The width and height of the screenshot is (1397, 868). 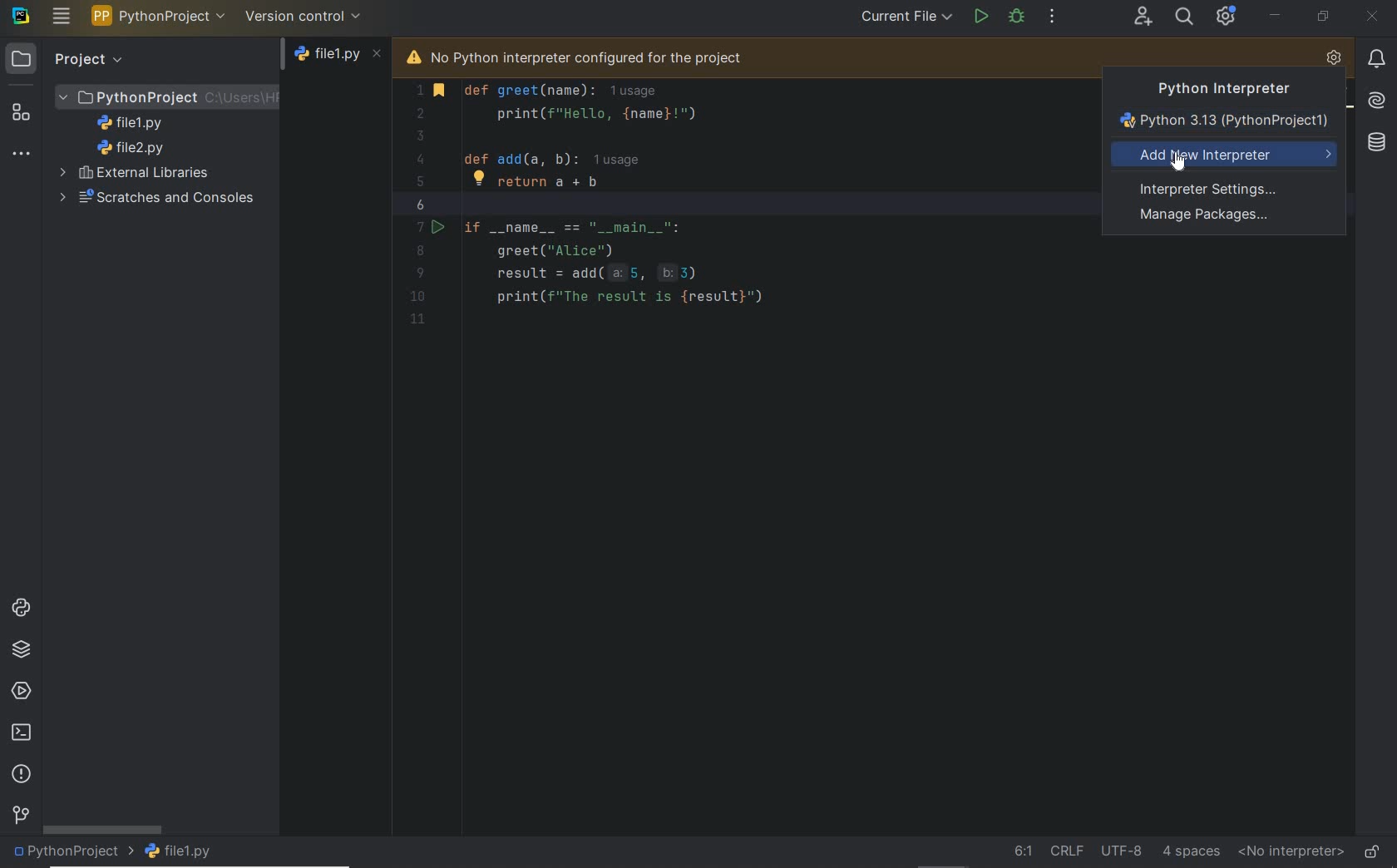 What do you see at coordinates (1375, 143) in the screenshot?
I see `database` at bounding box center [1375, 143].